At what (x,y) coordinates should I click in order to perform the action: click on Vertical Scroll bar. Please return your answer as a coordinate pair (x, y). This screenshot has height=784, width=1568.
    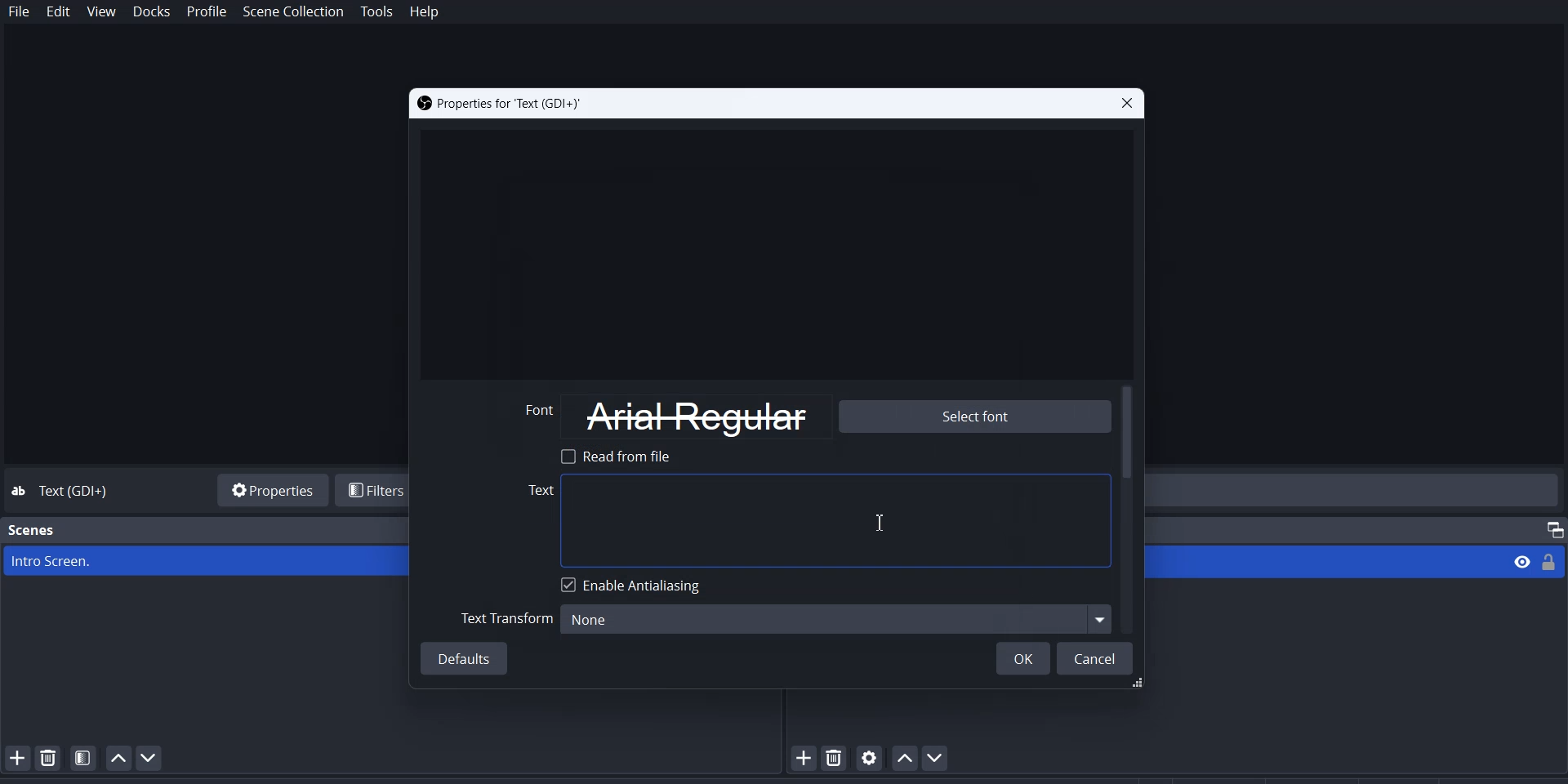
    Looking at the image, I should click on (1129, 509).